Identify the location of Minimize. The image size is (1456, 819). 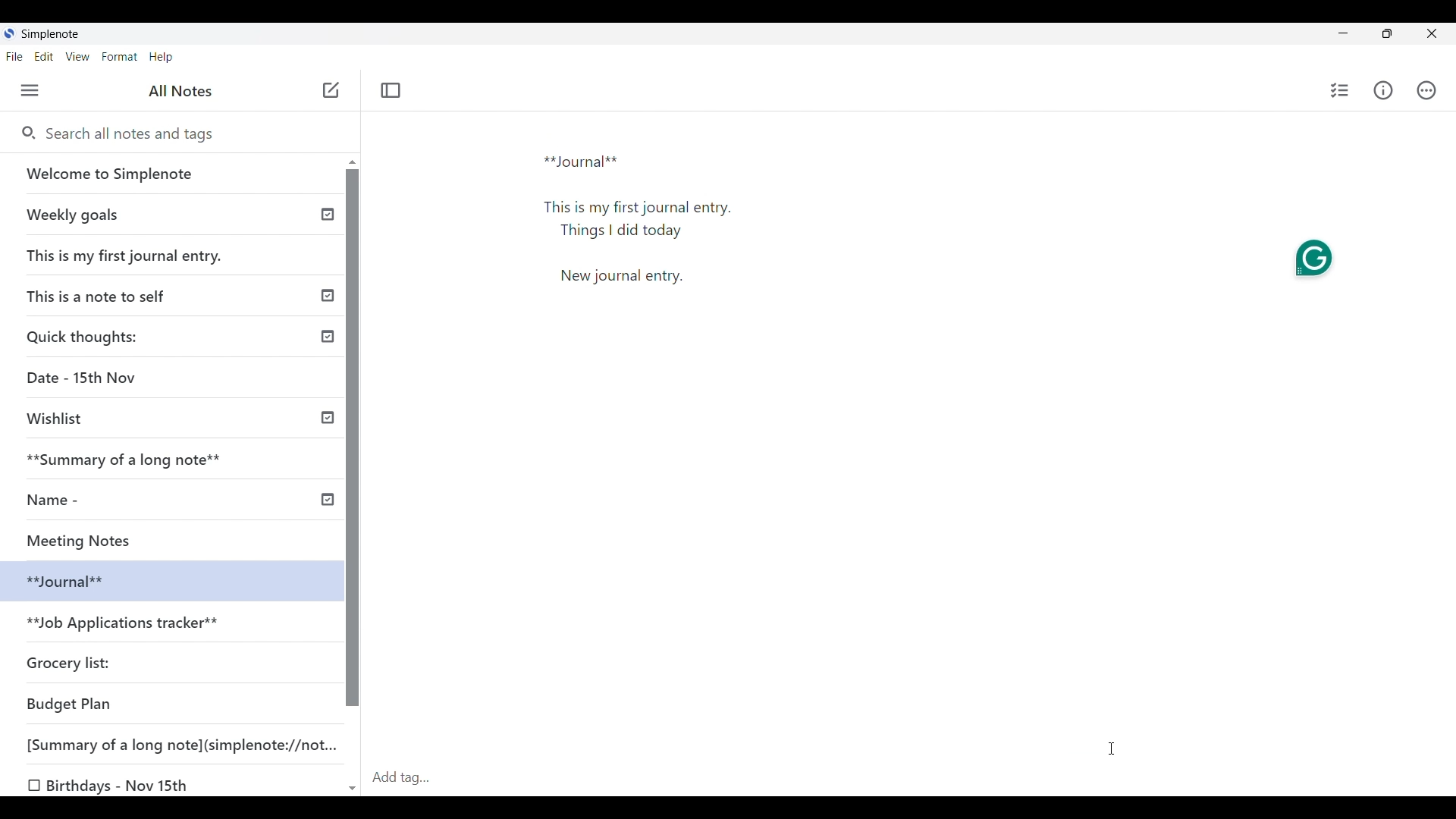
(1343, 33).